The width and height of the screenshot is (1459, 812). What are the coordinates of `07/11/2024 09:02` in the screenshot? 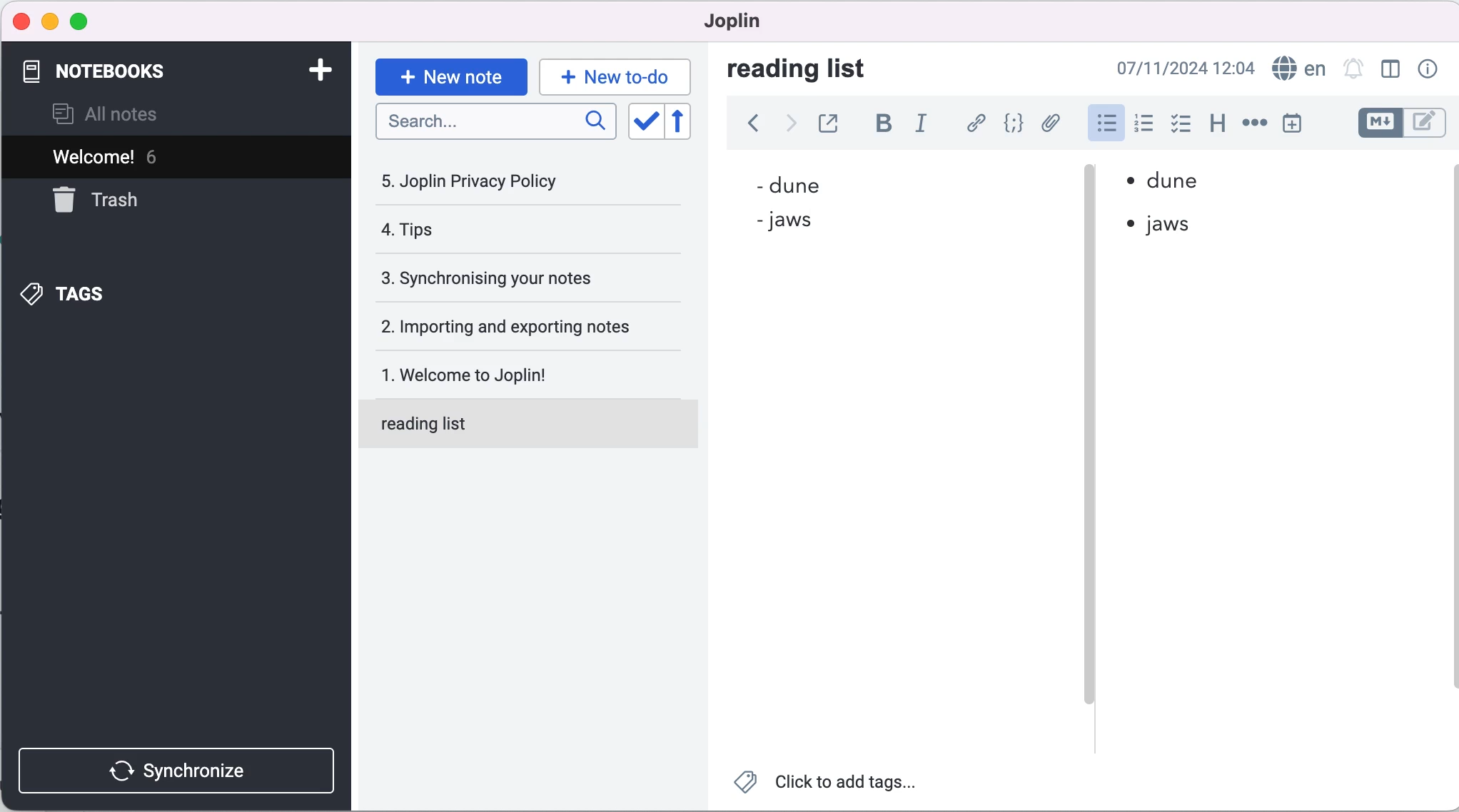 It's located at (1180, 68).